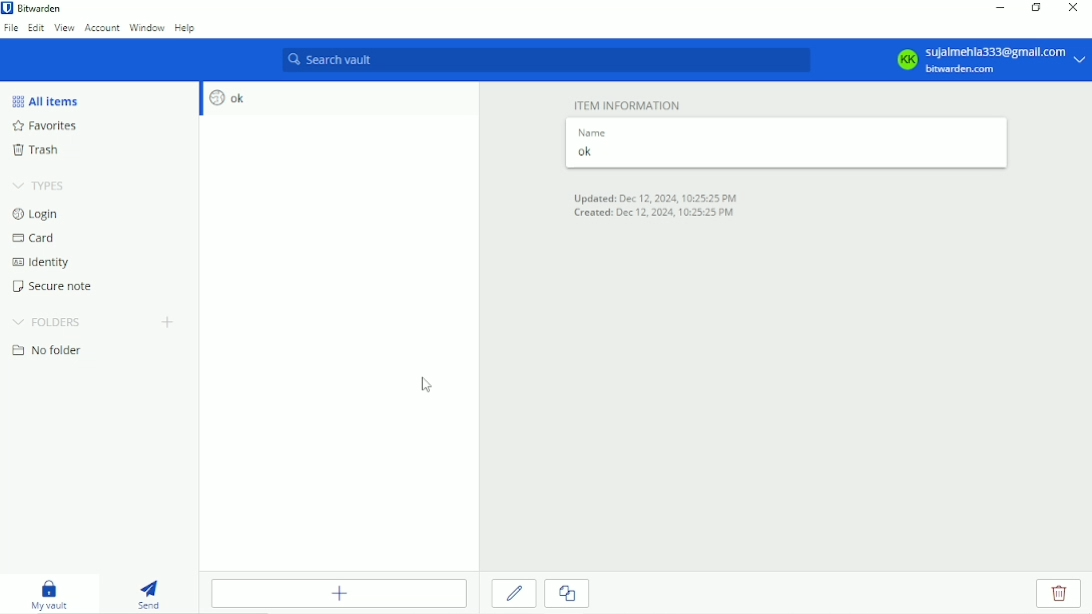 The height and width of the screenshot is (614, 1092). I want to click on Updated: Dec 12, 2024,    10:25:25 PM, so click(659, 197).